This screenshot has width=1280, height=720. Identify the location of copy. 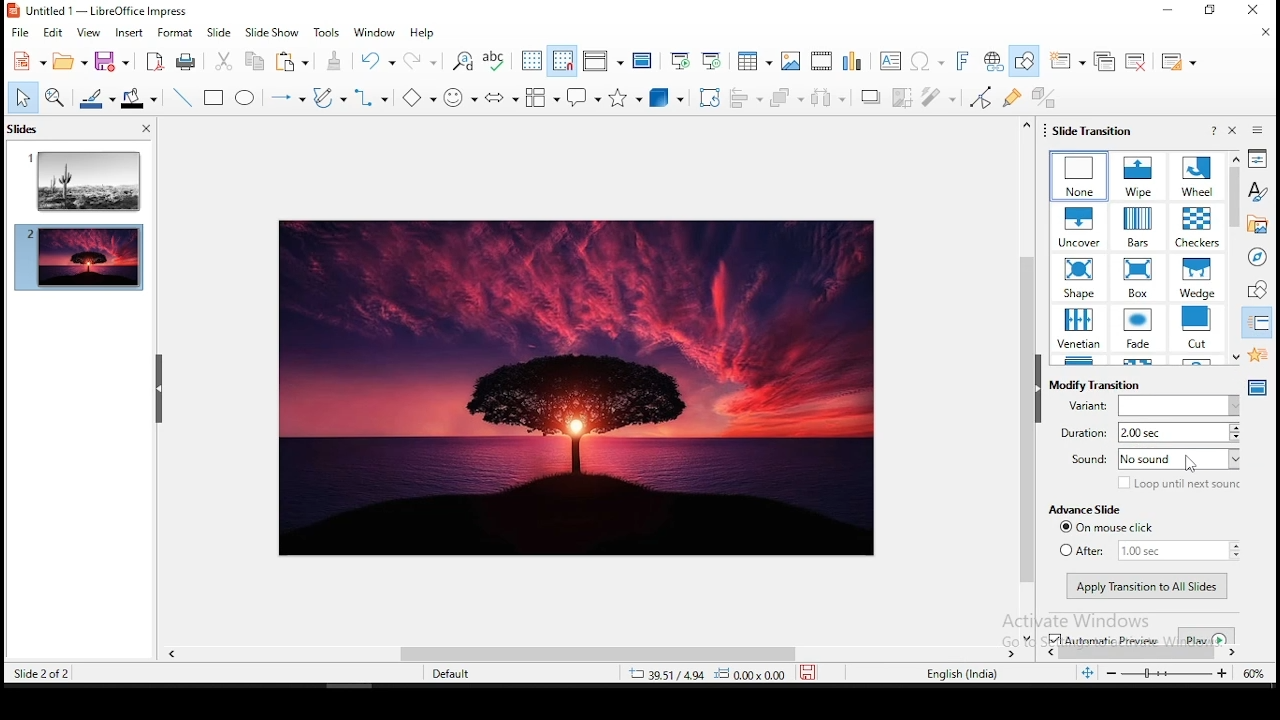
(253, 61).